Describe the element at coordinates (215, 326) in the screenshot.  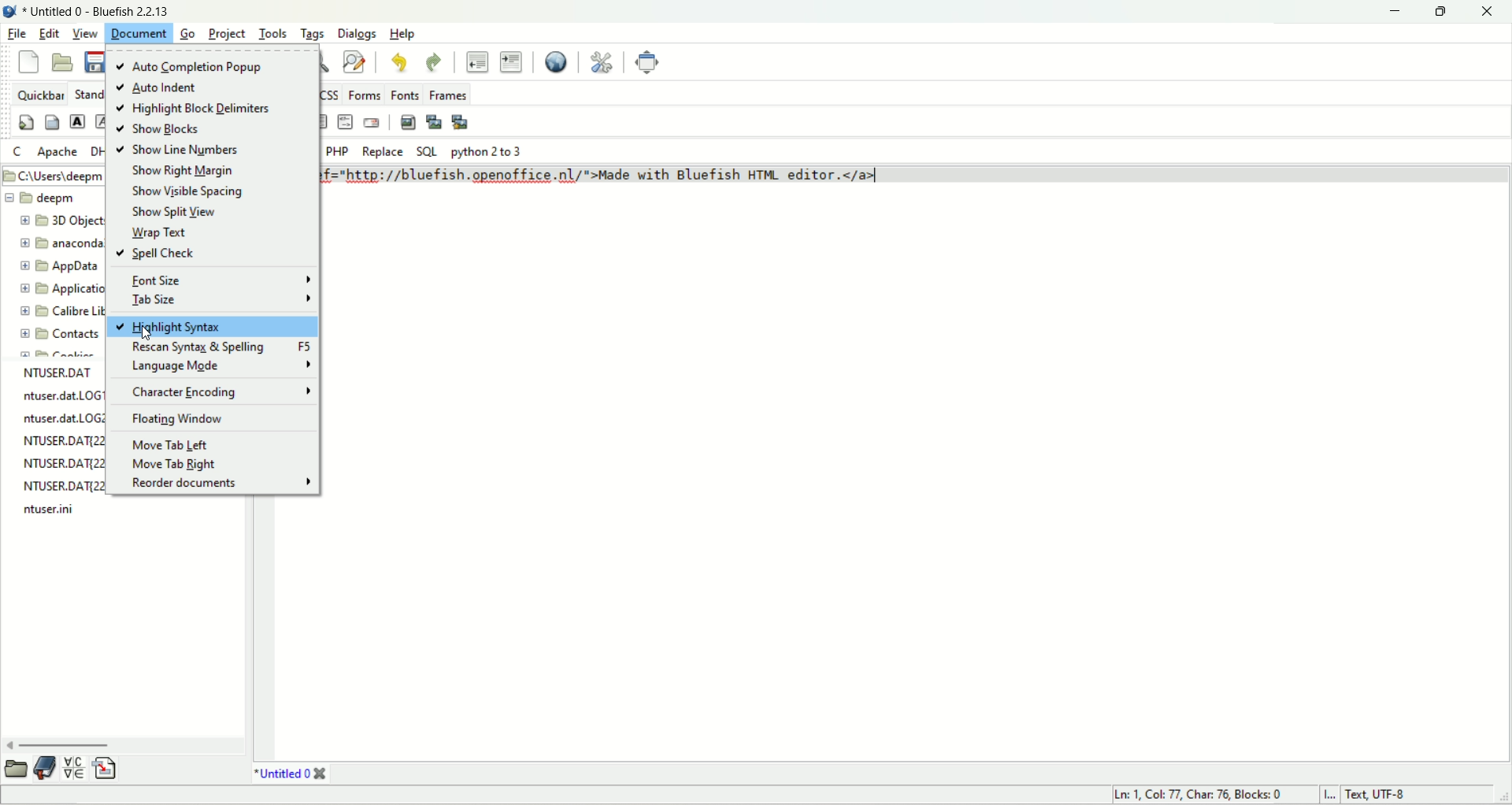
I see `highlight syntax` at that location.